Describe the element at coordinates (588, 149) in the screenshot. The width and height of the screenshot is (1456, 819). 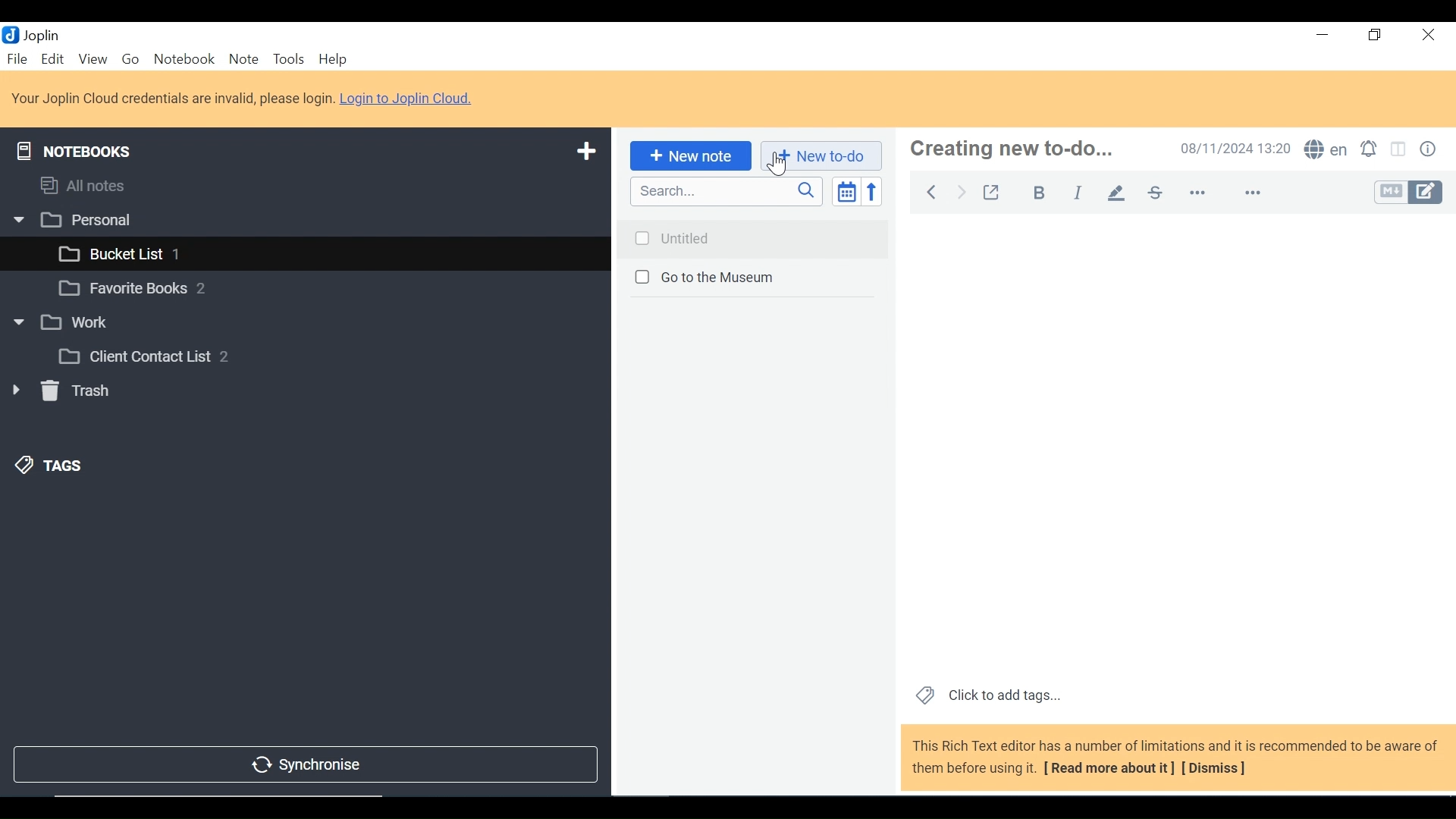
I see `Add a New Notebook` at that location.